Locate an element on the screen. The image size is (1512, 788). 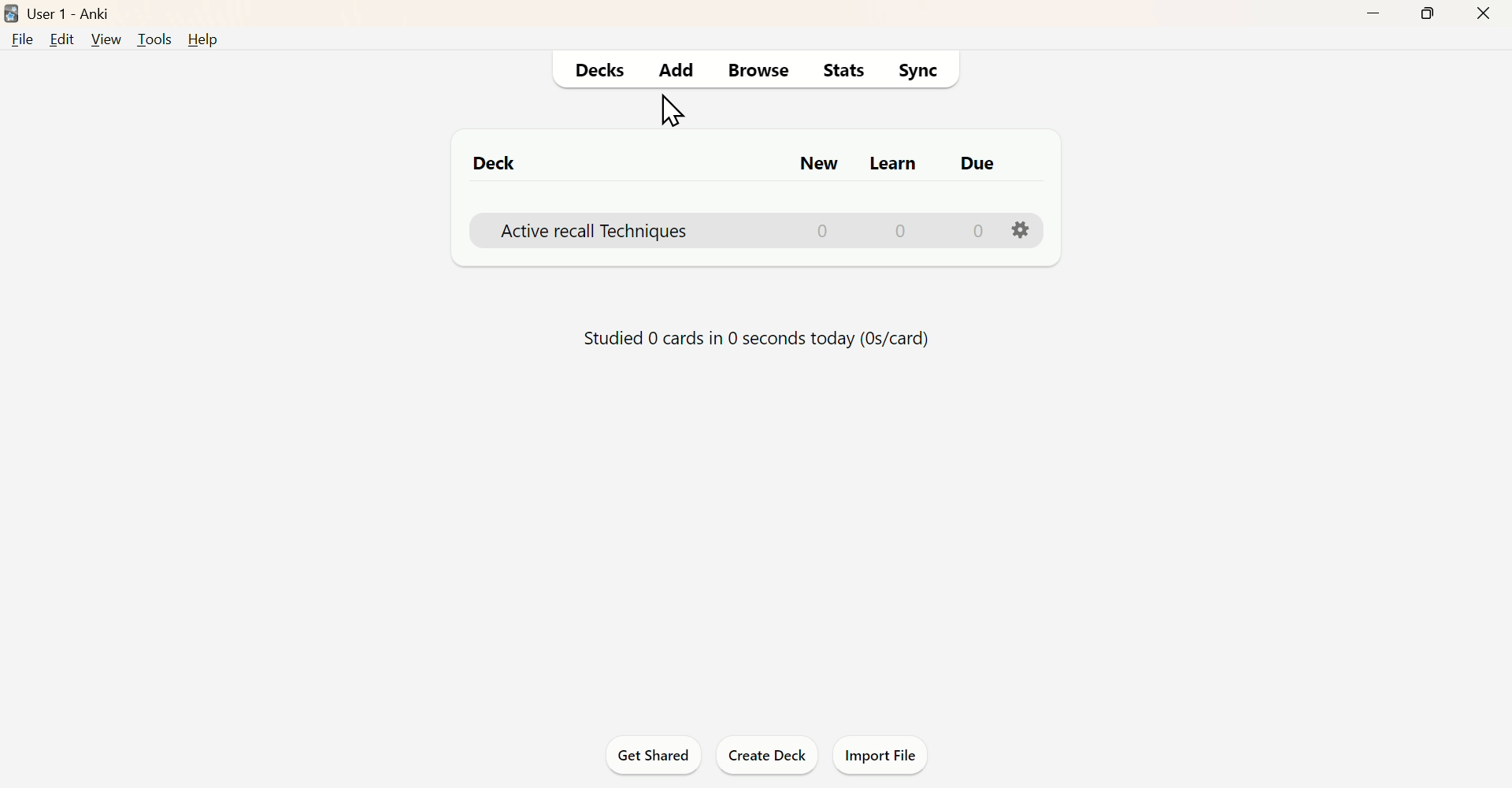
Create Deck is located at coordinates (768, 754).